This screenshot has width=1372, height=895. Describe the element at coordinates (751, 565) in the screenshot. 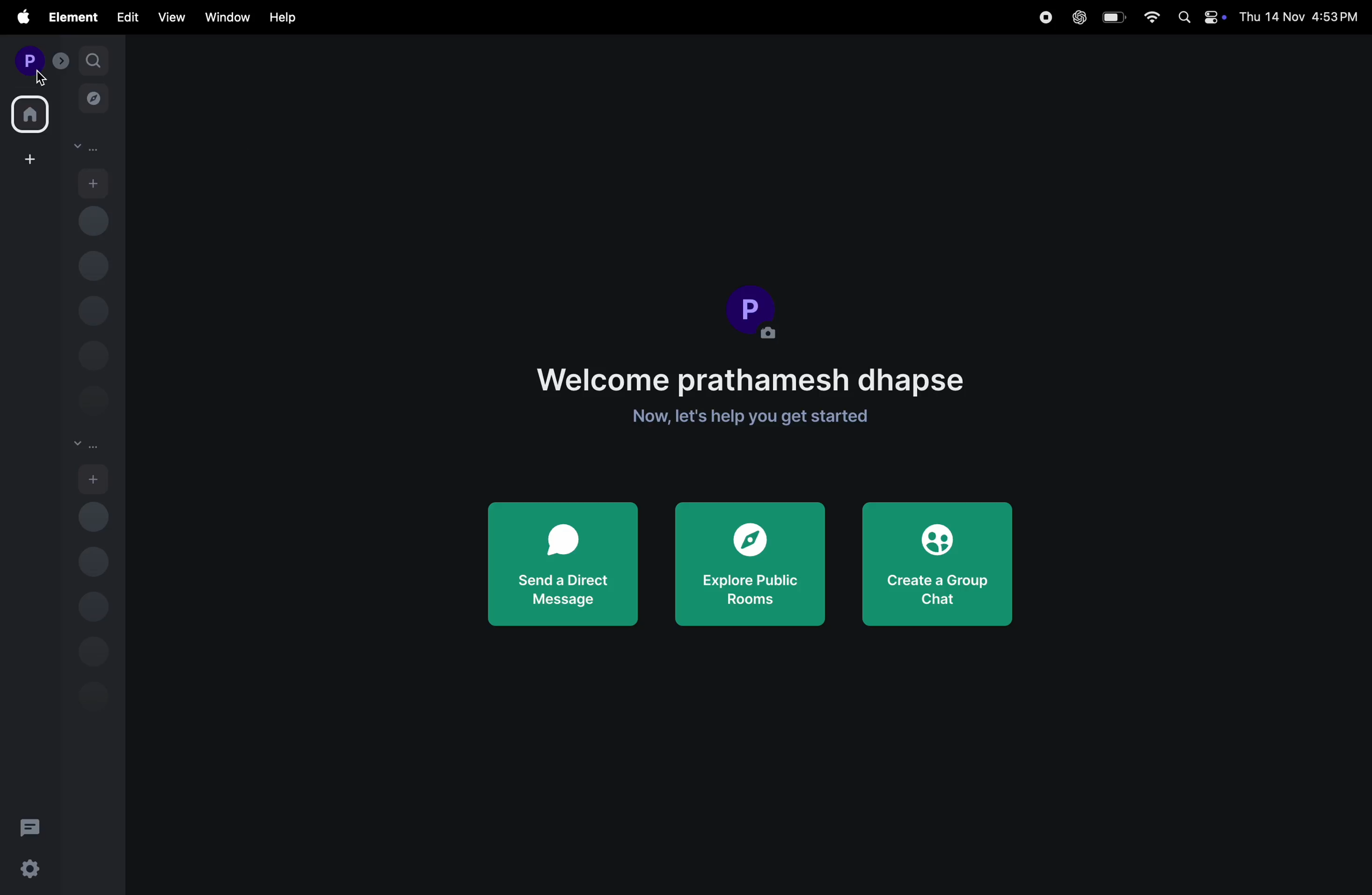

I see `explore public room` at that location.